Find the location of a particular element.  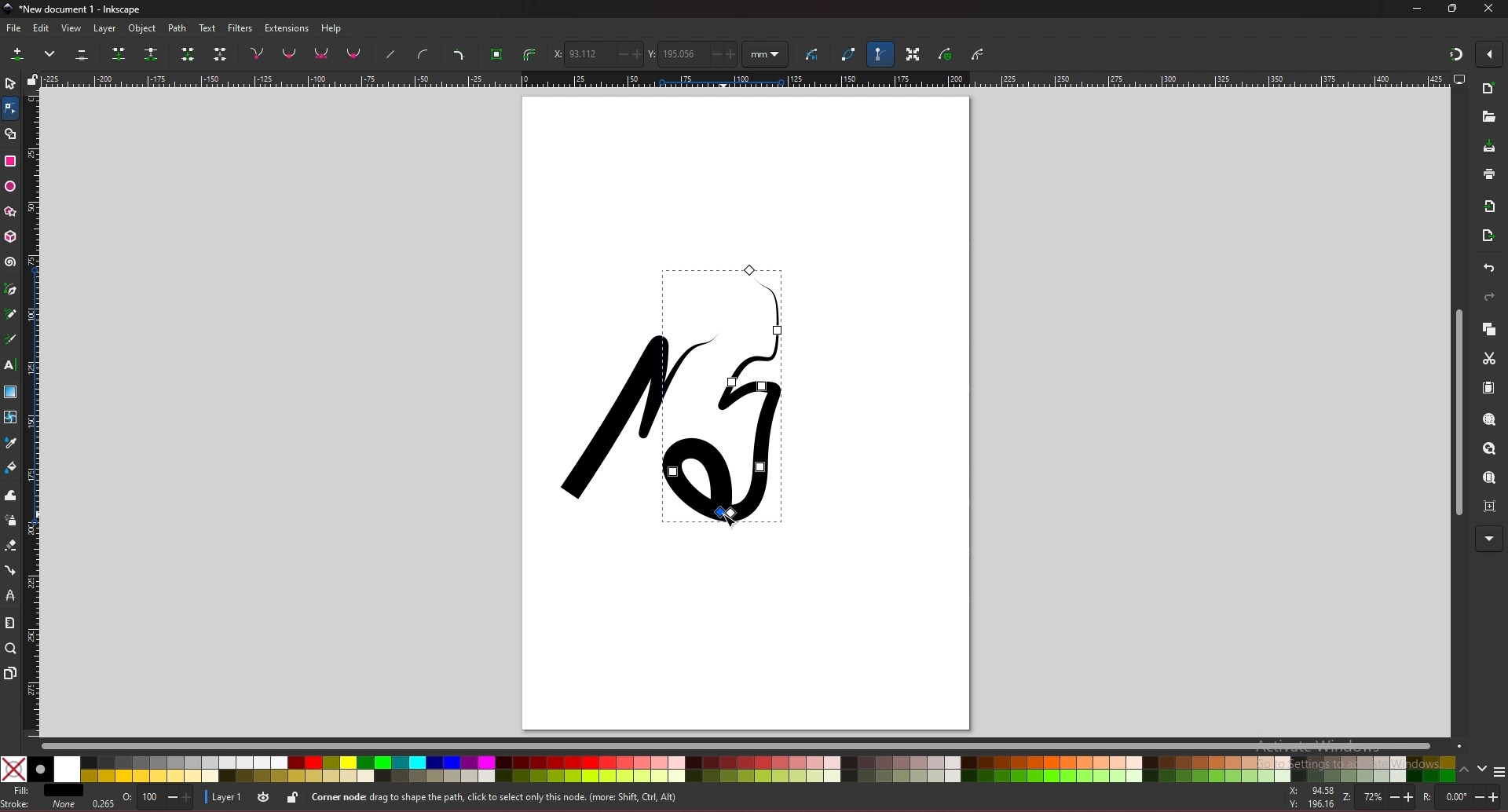

open is located at coordinates (1488, 117).